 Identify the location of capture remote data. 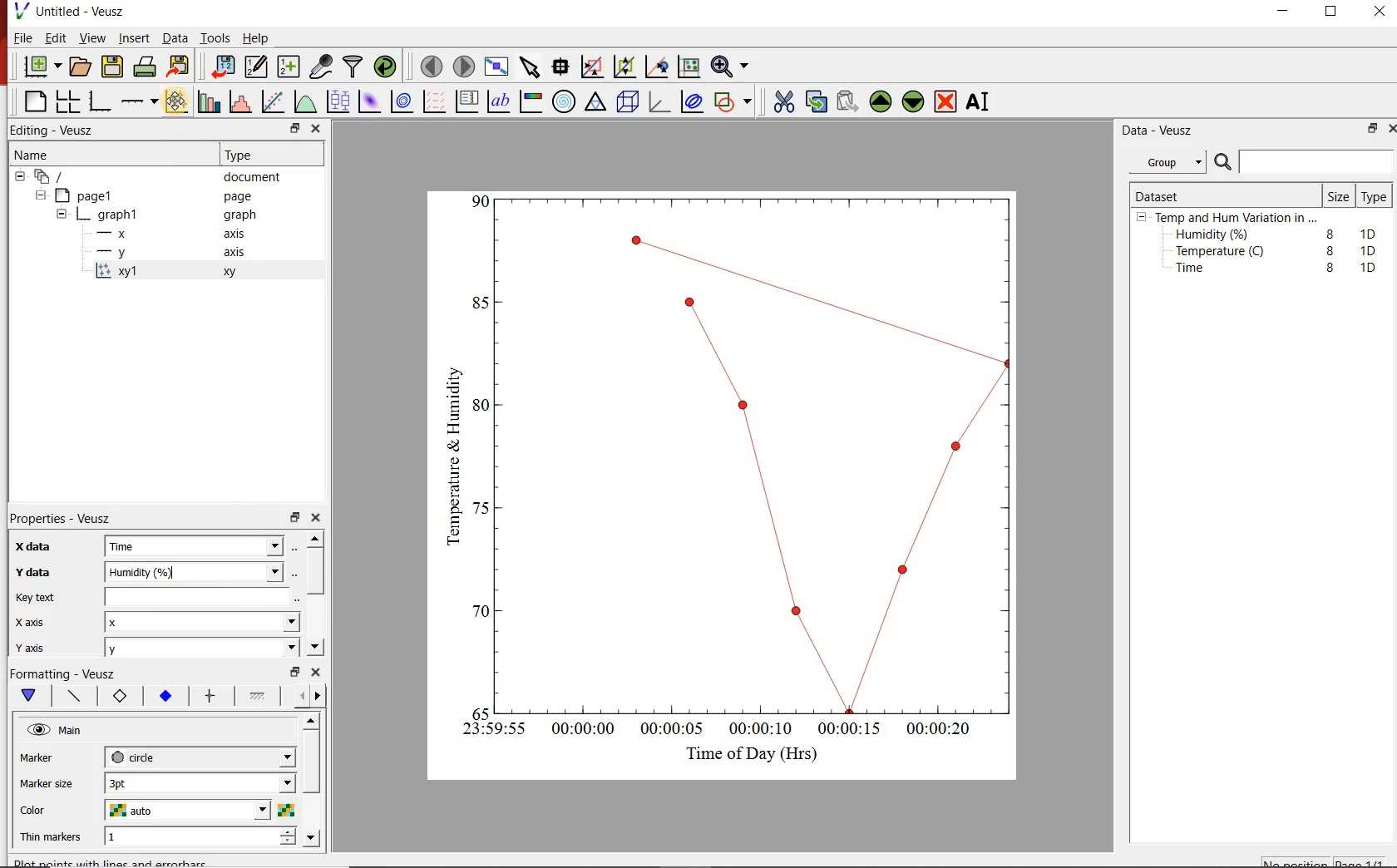
(320, 65).